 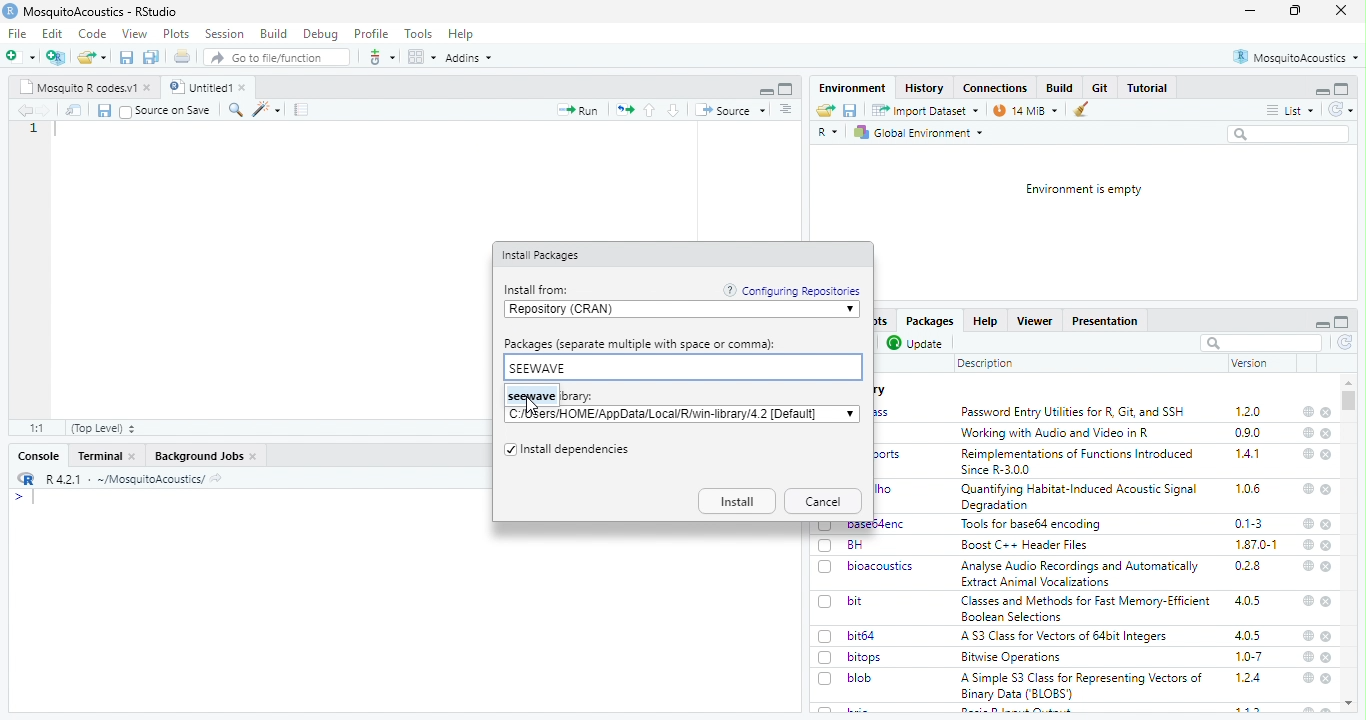 I want to click on web, so click(x=1309, y=524).